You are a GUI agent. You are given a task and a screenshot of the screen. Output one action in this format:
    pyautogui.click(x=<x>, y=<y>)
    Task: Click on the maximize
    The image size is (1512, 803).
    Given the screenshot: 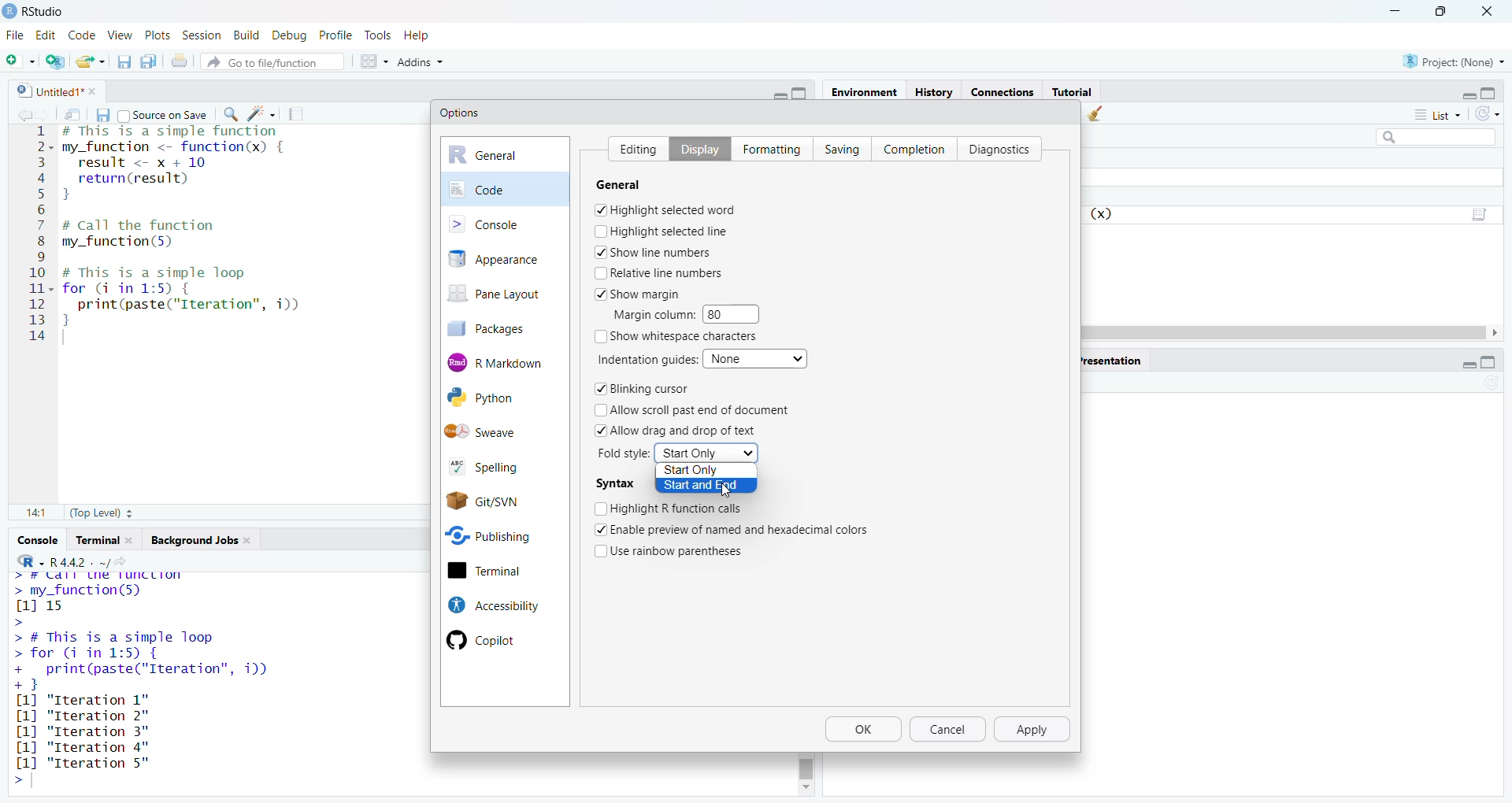 What is the action you would take?
    pyautogui.click(x=1496, y=90)
    